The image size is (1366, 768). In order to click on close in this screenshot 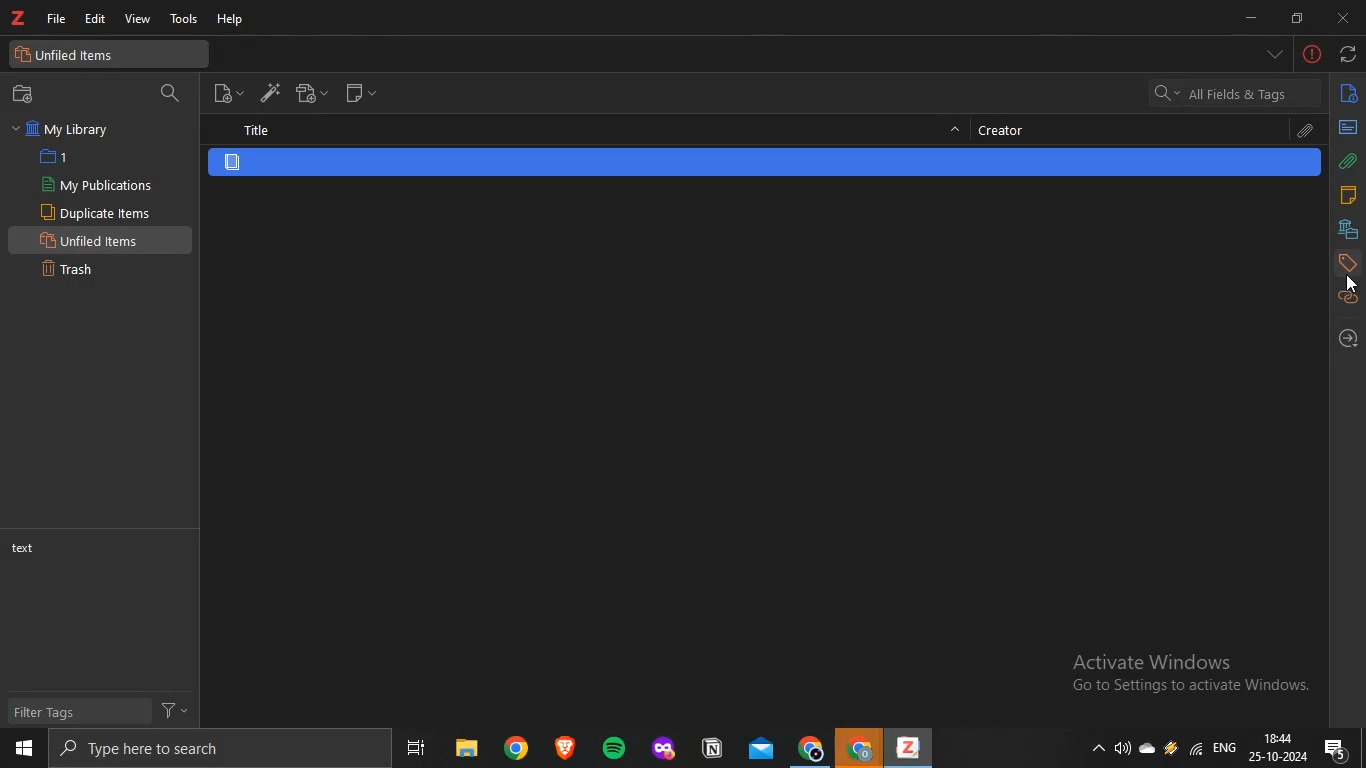, I will do `click(1343, 19)`.